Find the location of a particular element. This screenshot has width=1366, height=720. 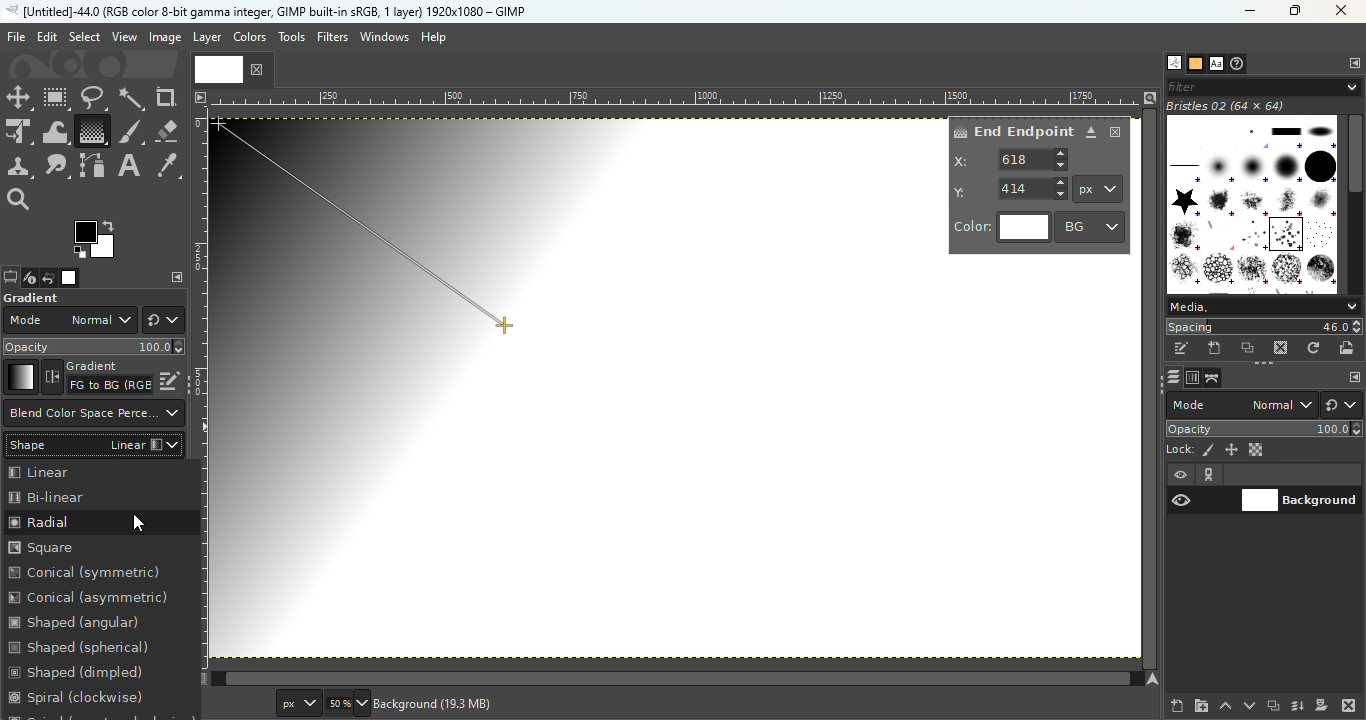

Shape is located at coordinates (94, 443).